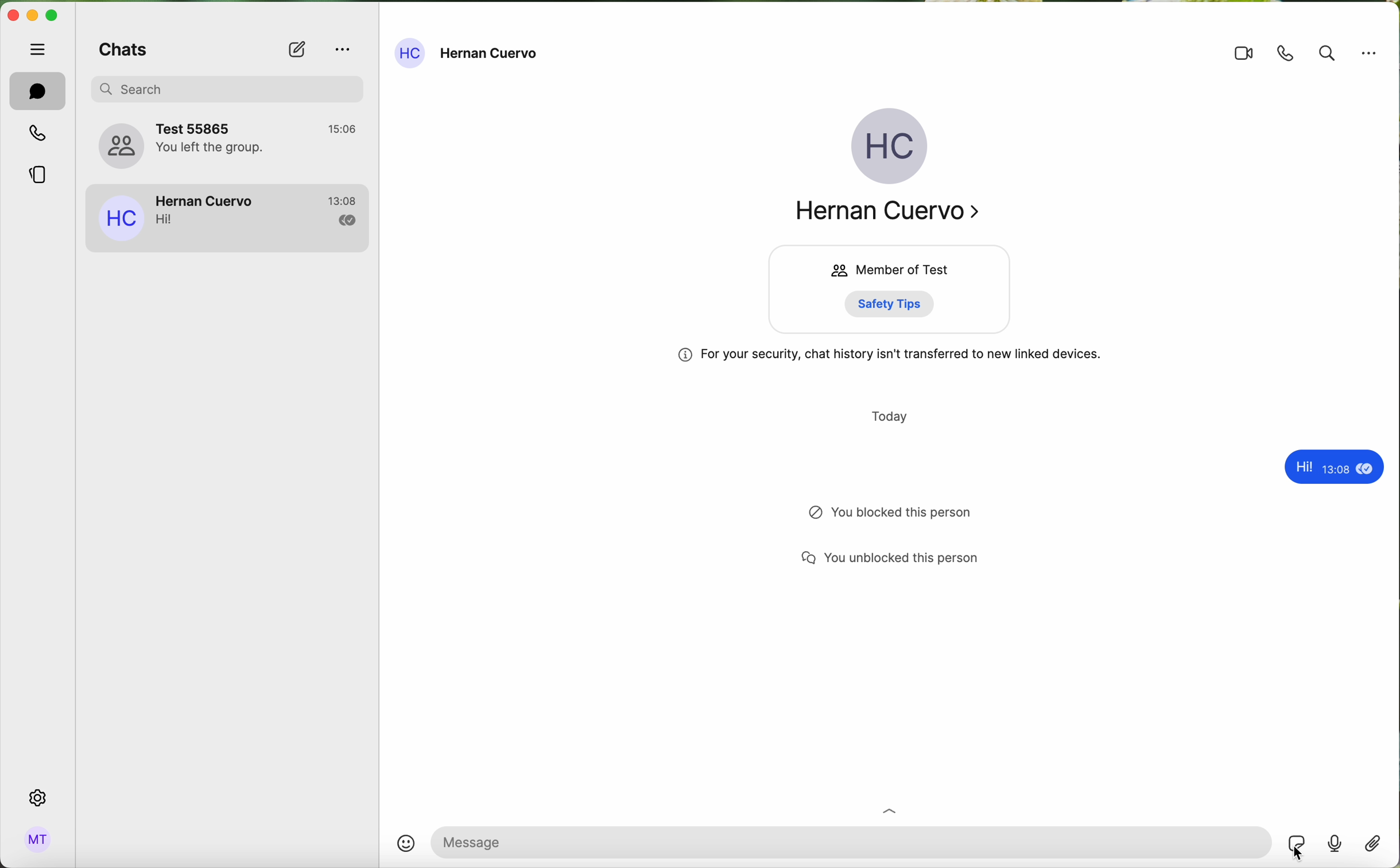  I want to click on icon, so click(890, 811).